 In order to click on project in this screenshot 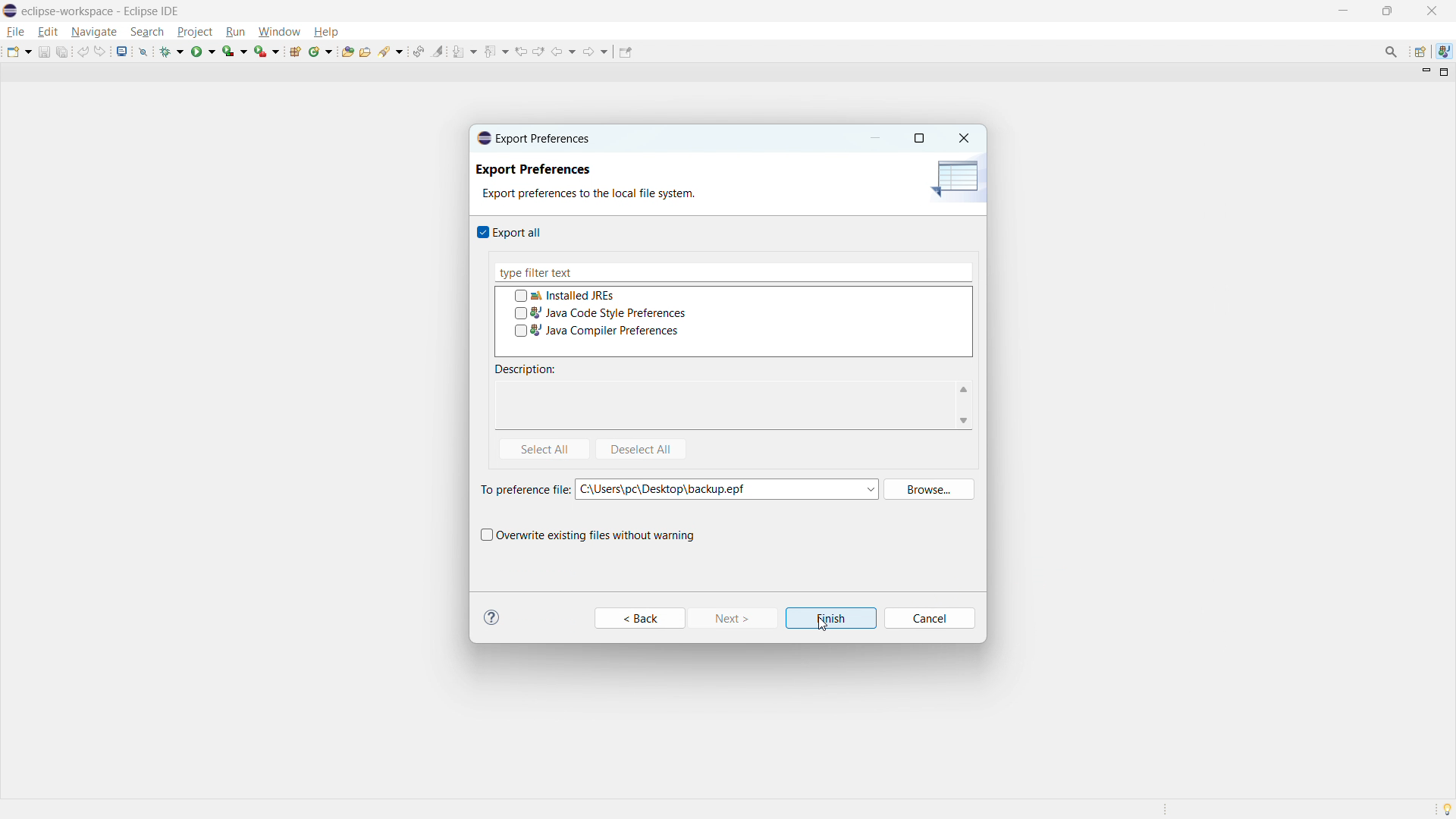, I will do `click(194, 31)`.